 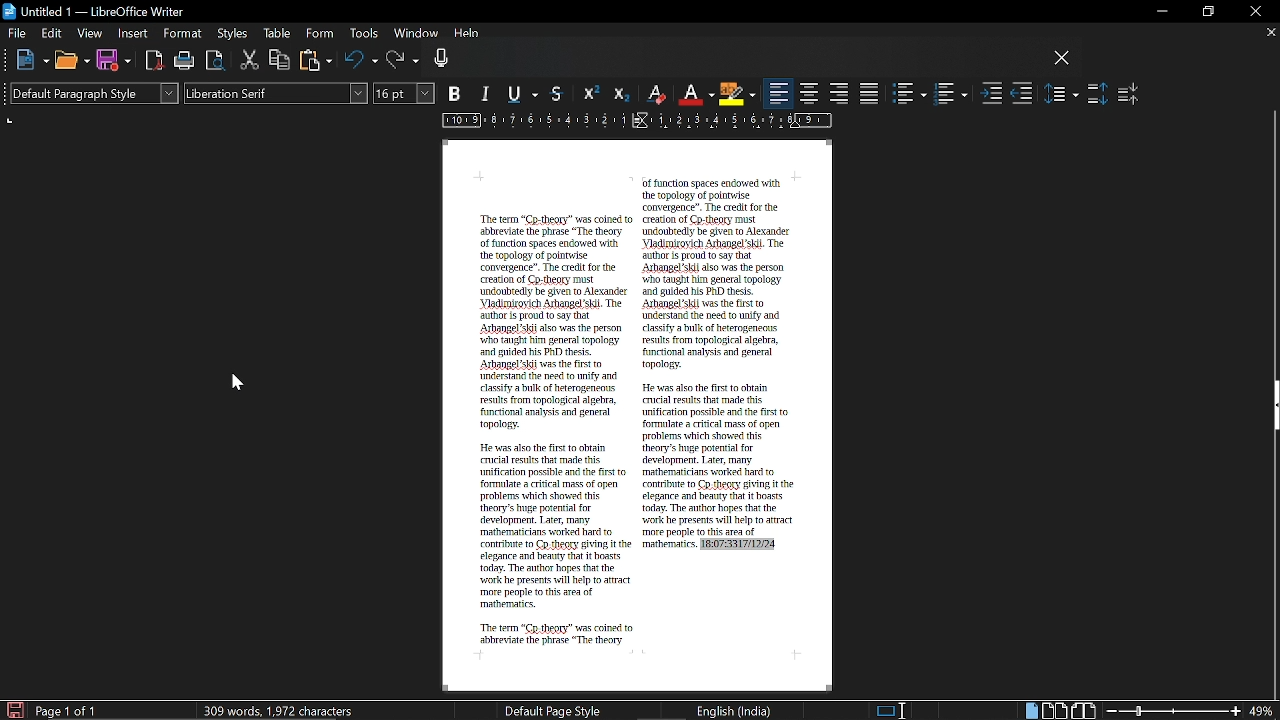 What do you see at coordinates (1022, 95) in the screenshot?
I see `Decrease indent` at bounding box center [1022, 95].